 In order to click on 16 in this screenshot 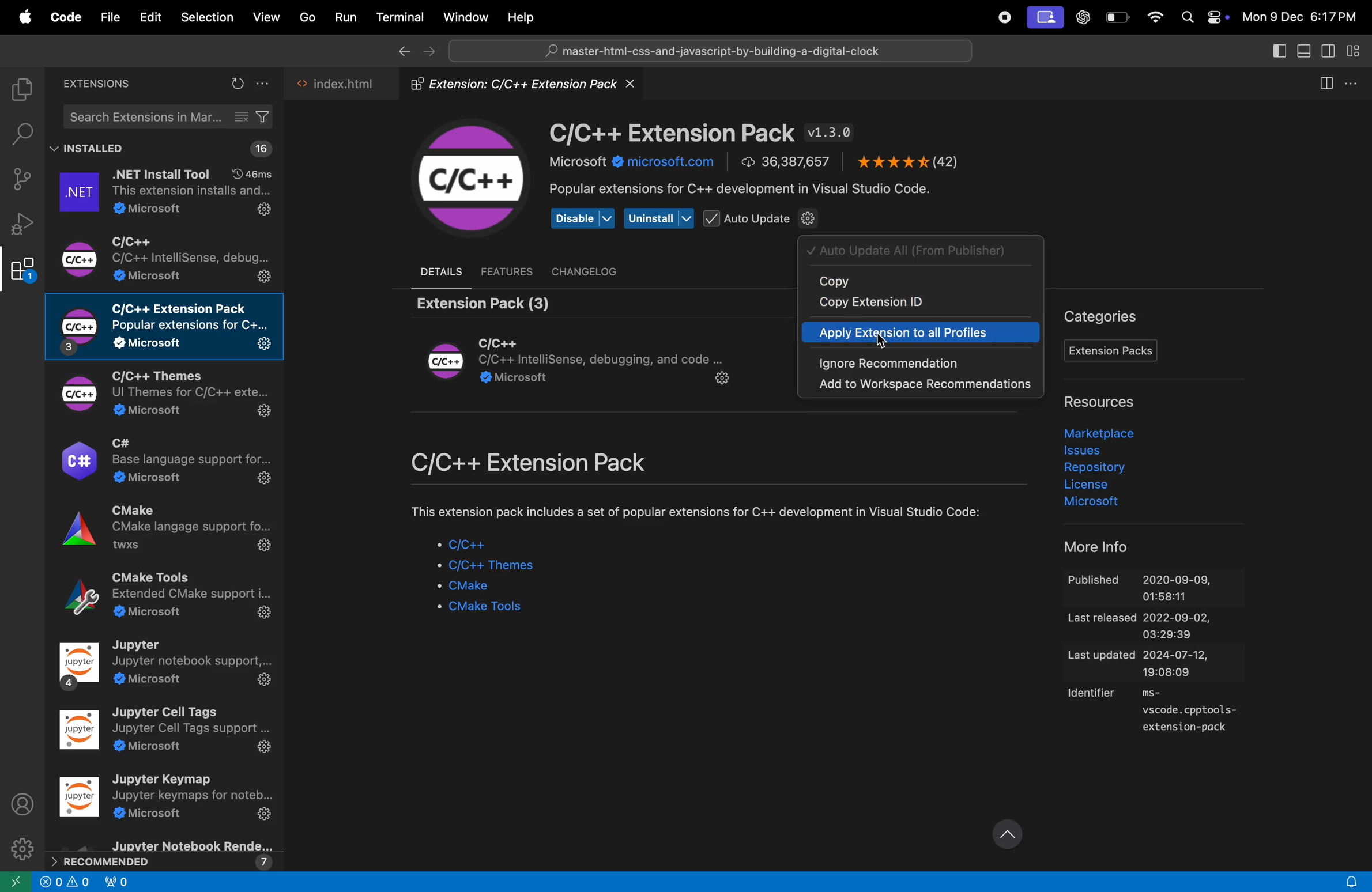, I will do `click(258, 150)`.